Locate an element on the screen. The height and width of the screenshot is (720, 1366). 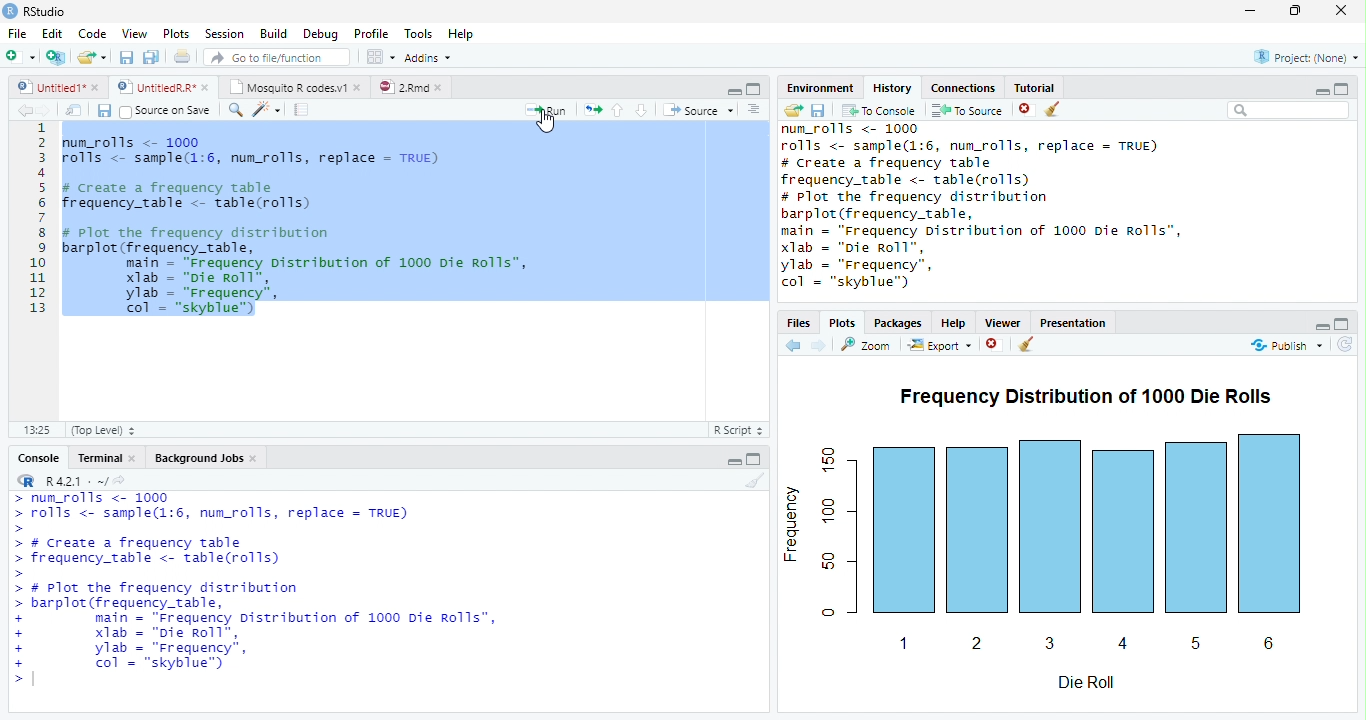
RStudio is located at coordinates (35, 11).